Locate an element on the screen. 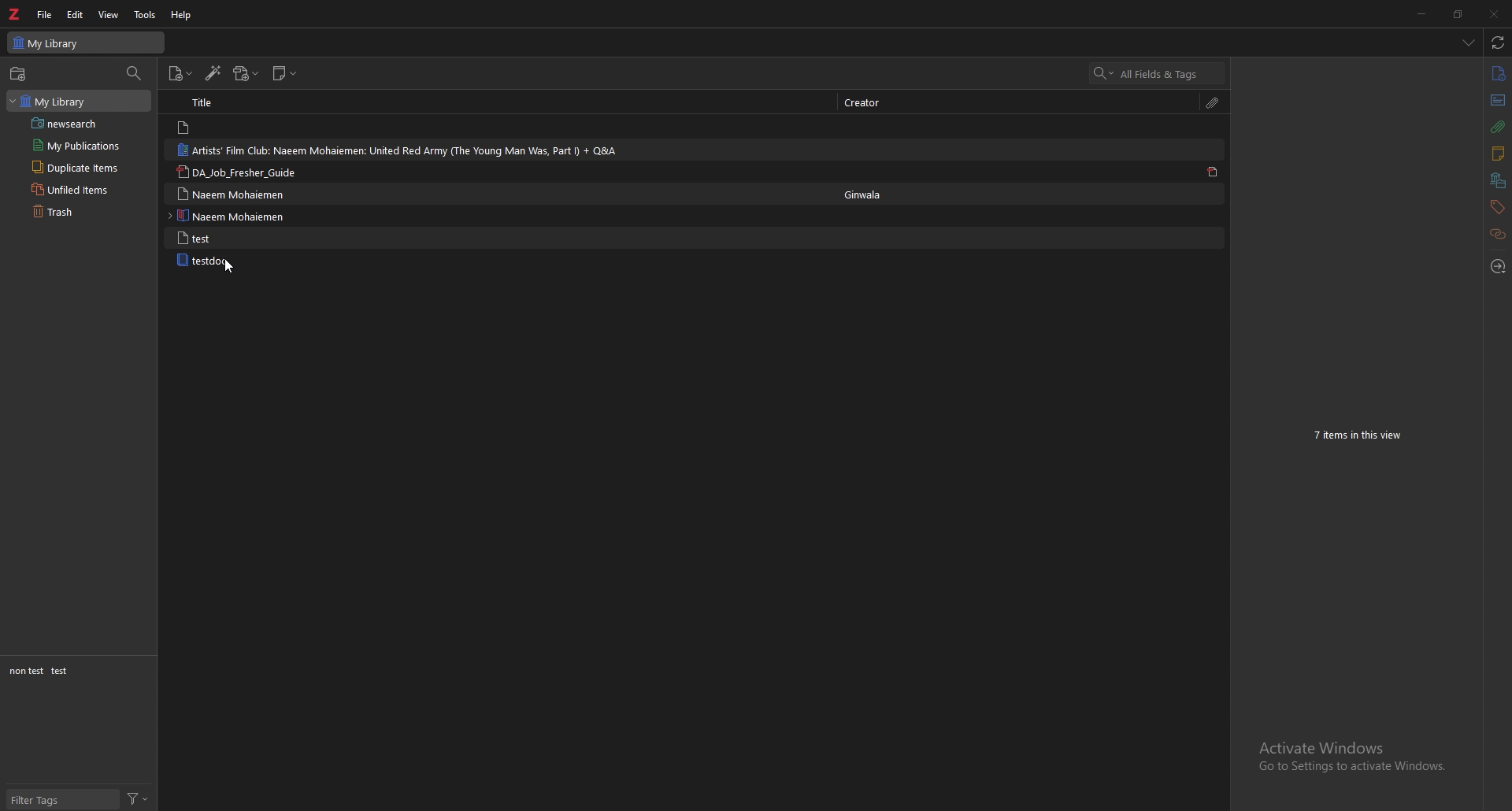 The height and width of the screenshot is (811, 1512). tags is located at coordinates (1498, 206).